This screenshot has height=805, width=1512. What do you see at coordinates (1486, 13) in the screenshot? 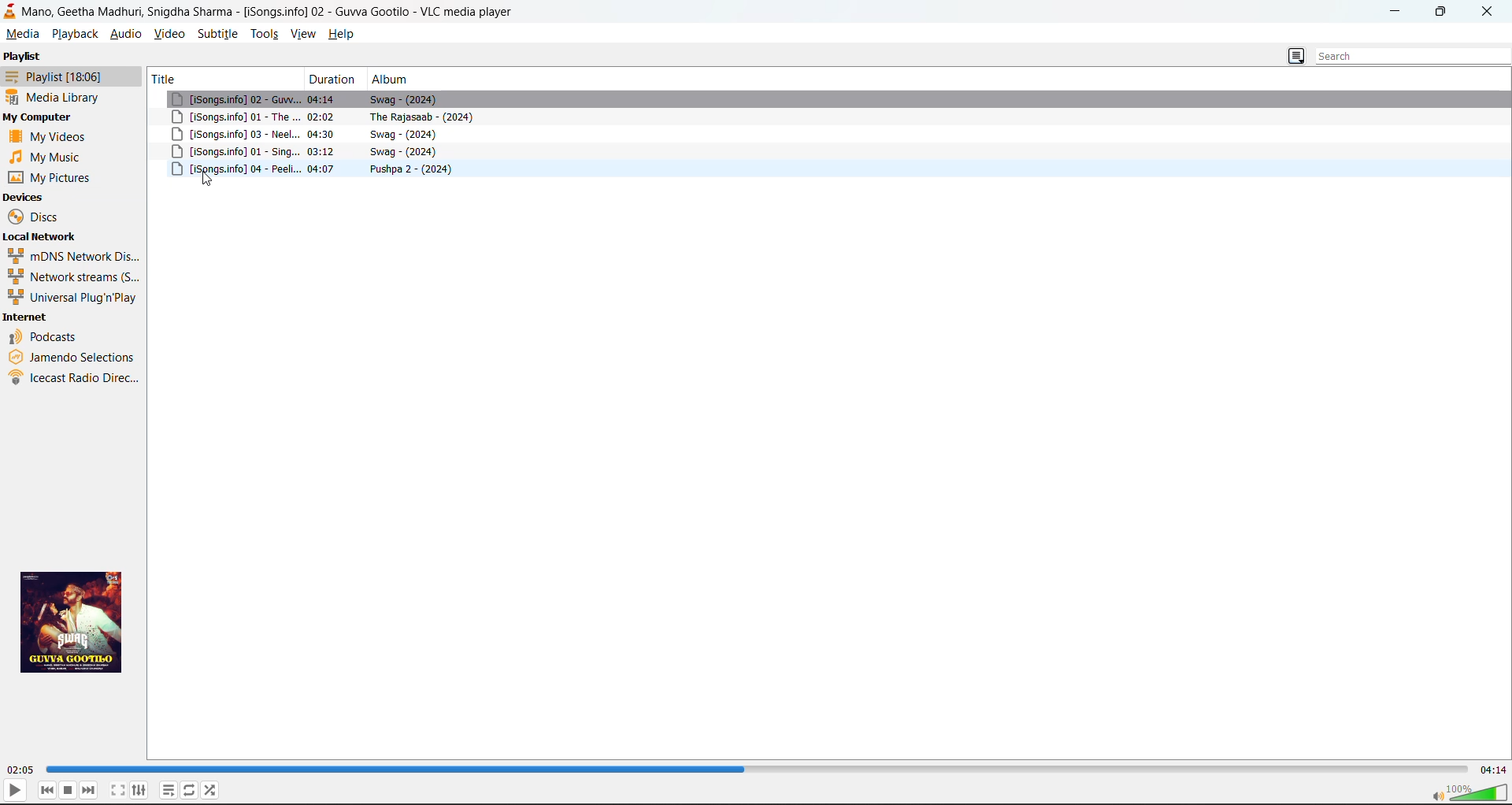
I see `close` at bounding box center [1486, 13].